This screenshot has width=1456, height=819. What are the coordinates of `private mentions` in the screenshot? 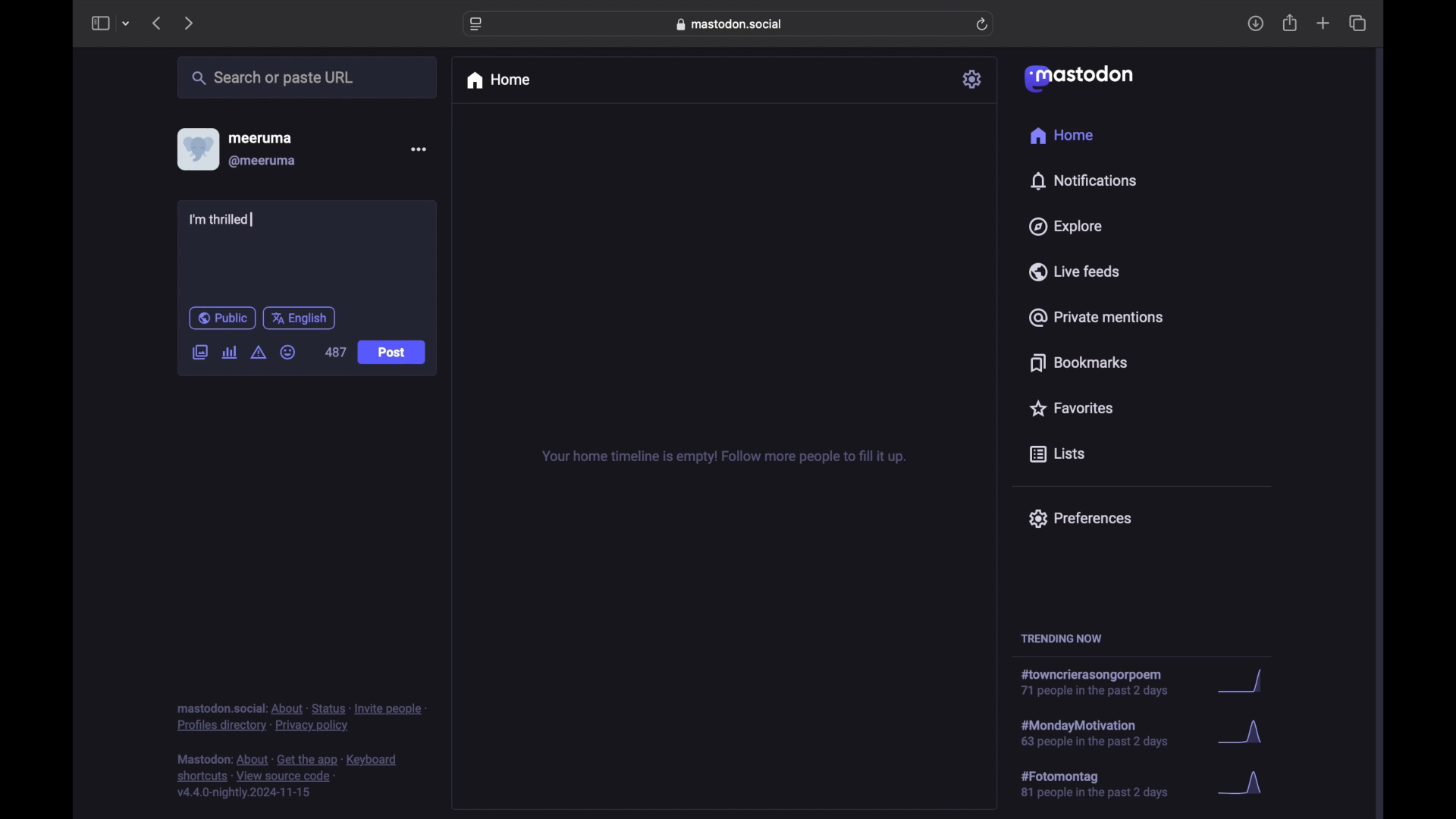 It's located at (1095, 317).